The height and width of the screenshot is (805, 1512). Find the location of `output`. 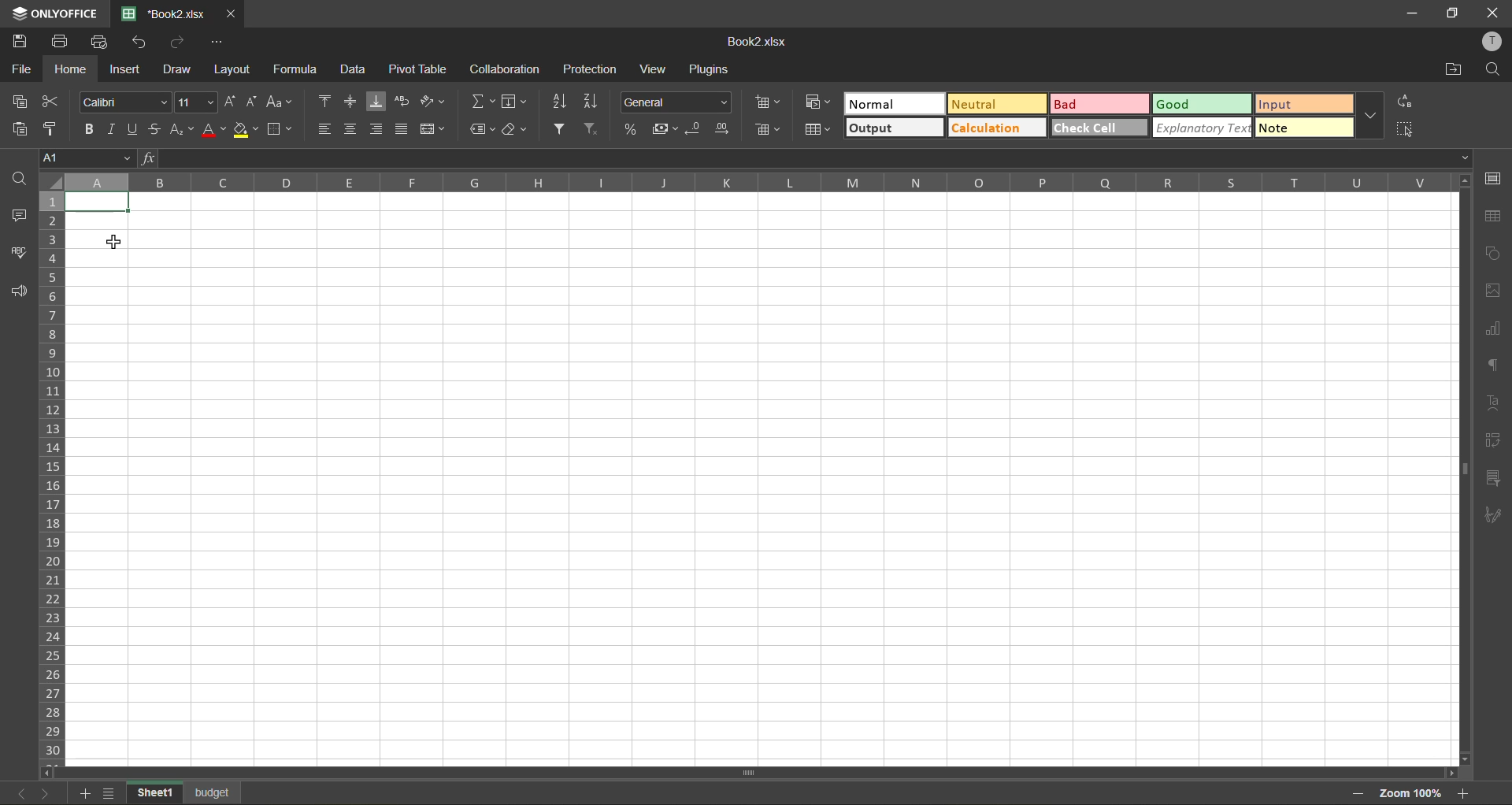

output is located at coordinates (894, 127).